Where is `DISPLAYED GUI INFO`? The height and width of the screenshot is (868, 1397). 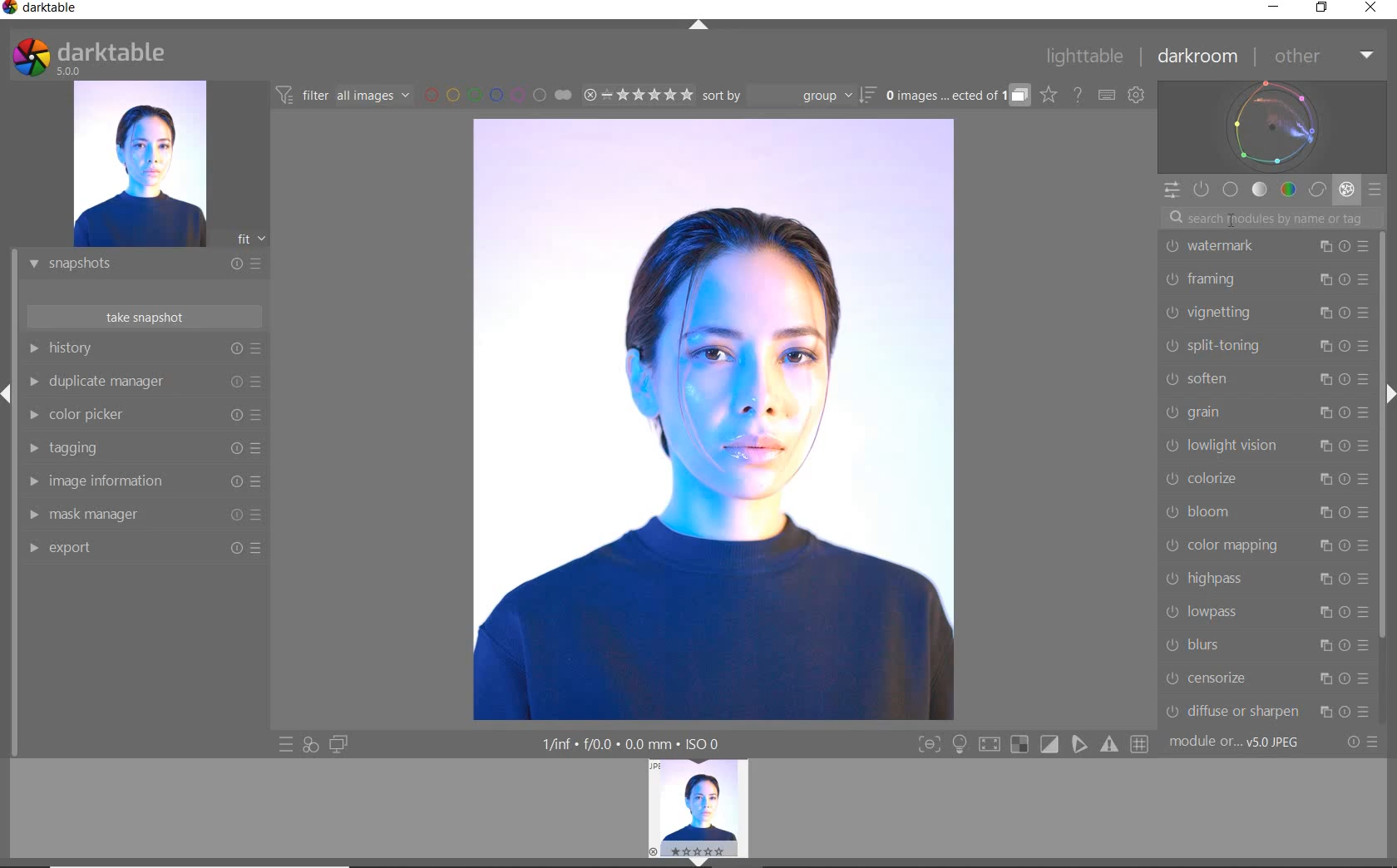
DISPLAYED GUI INFO is located at coordinates (628, 744).